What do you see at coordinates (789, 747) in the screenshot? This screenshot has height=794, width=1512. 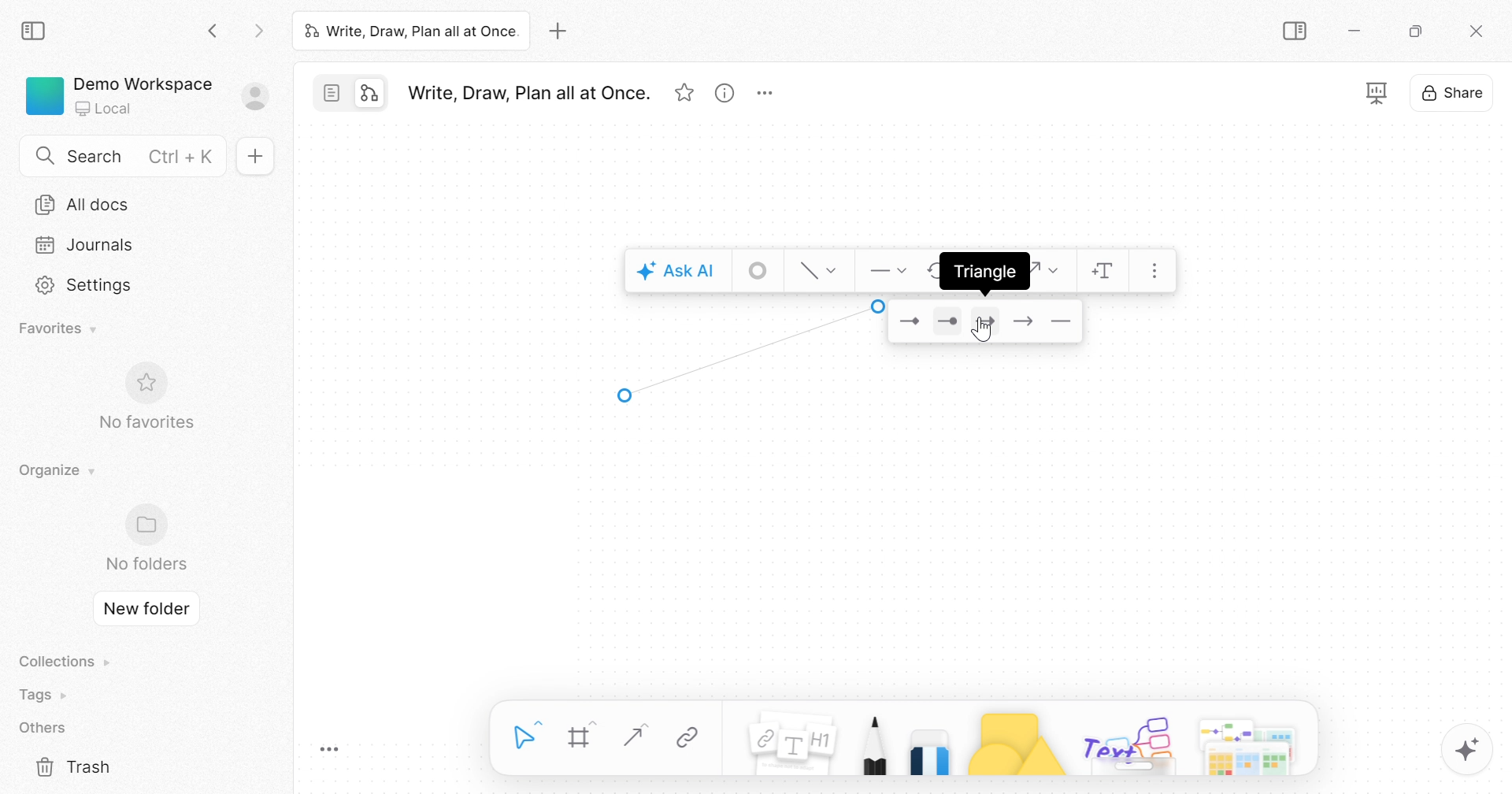 I see `Note` at bounding box center [789, 747].